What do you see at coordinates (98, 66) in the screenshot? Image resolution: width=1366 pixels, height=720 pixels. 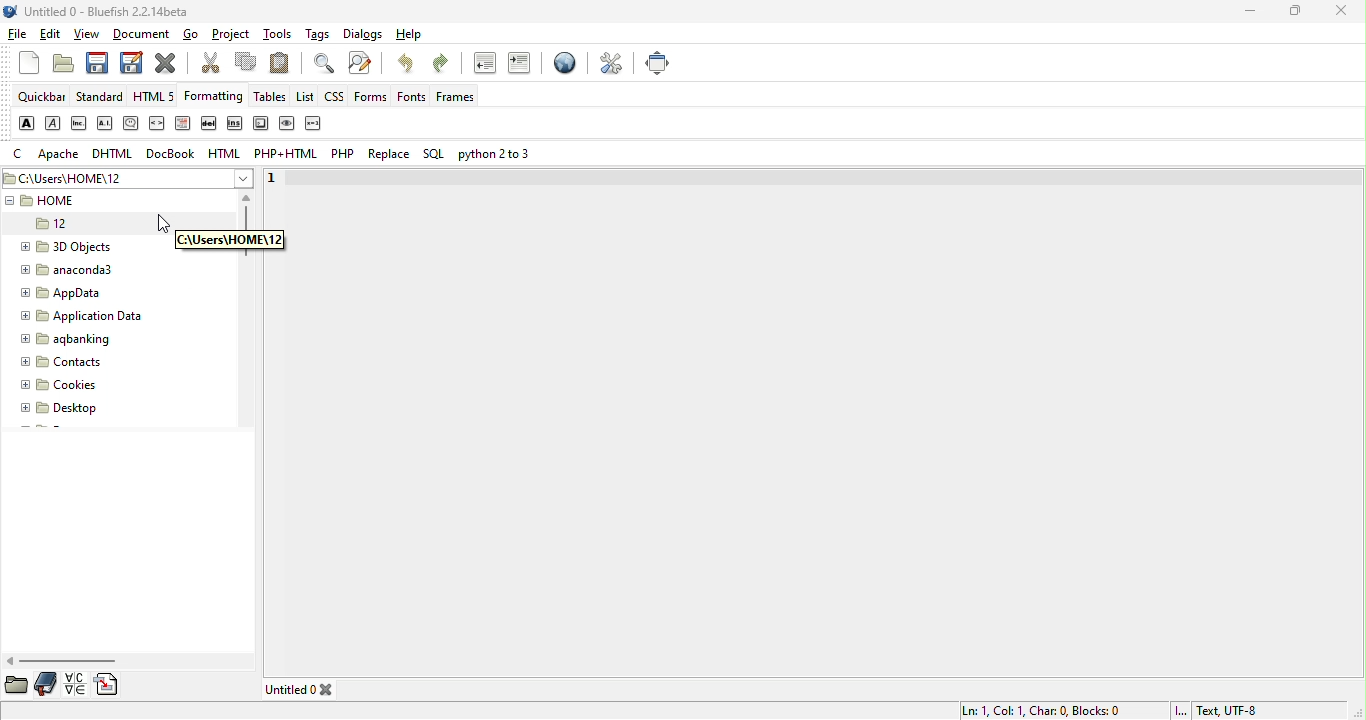 I see `save` at bounding box center [98, 66].